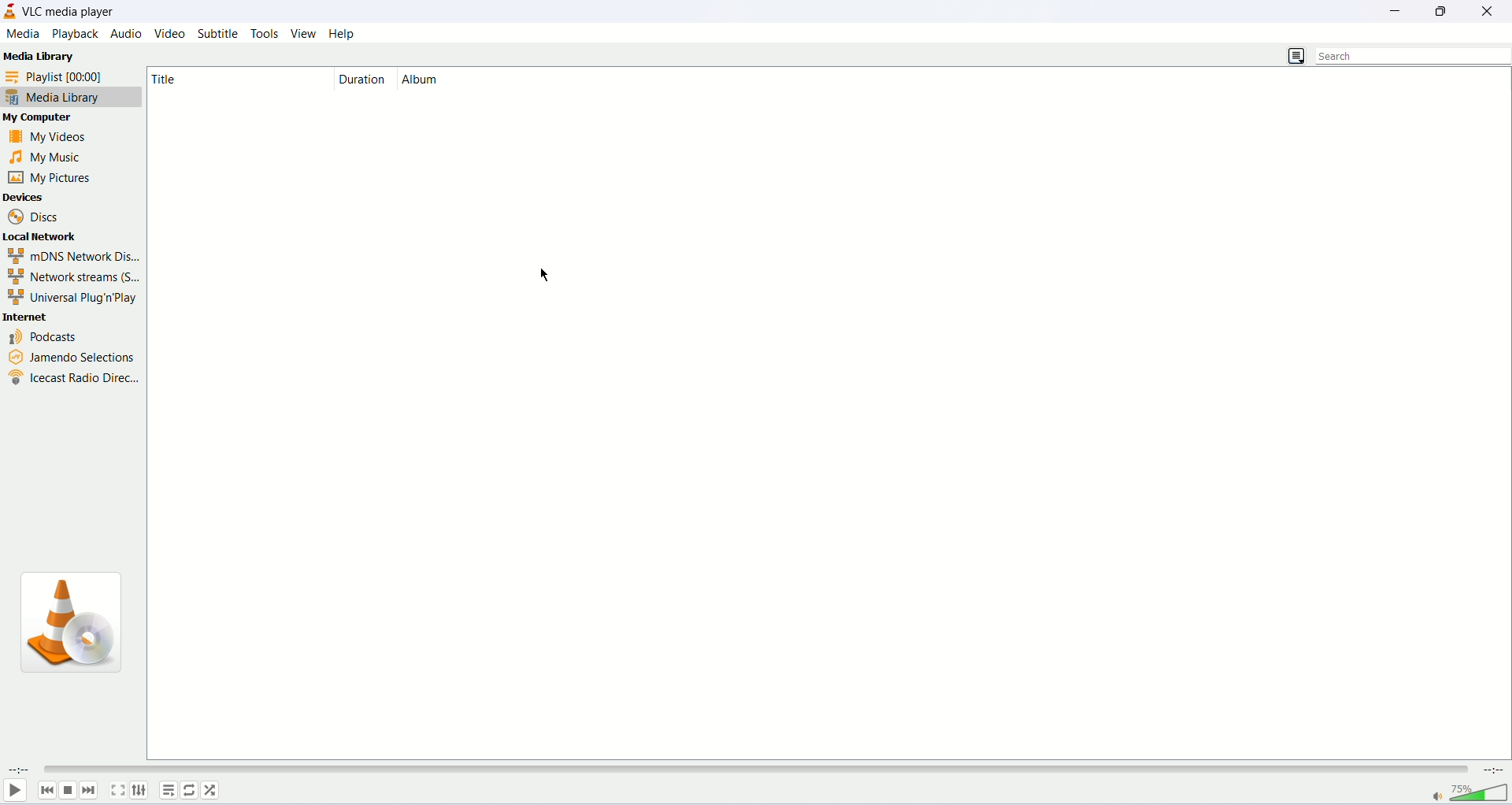 The height and width of the screenshot is (805, 1512). I want to click on volume bar, so click(1469, 791).